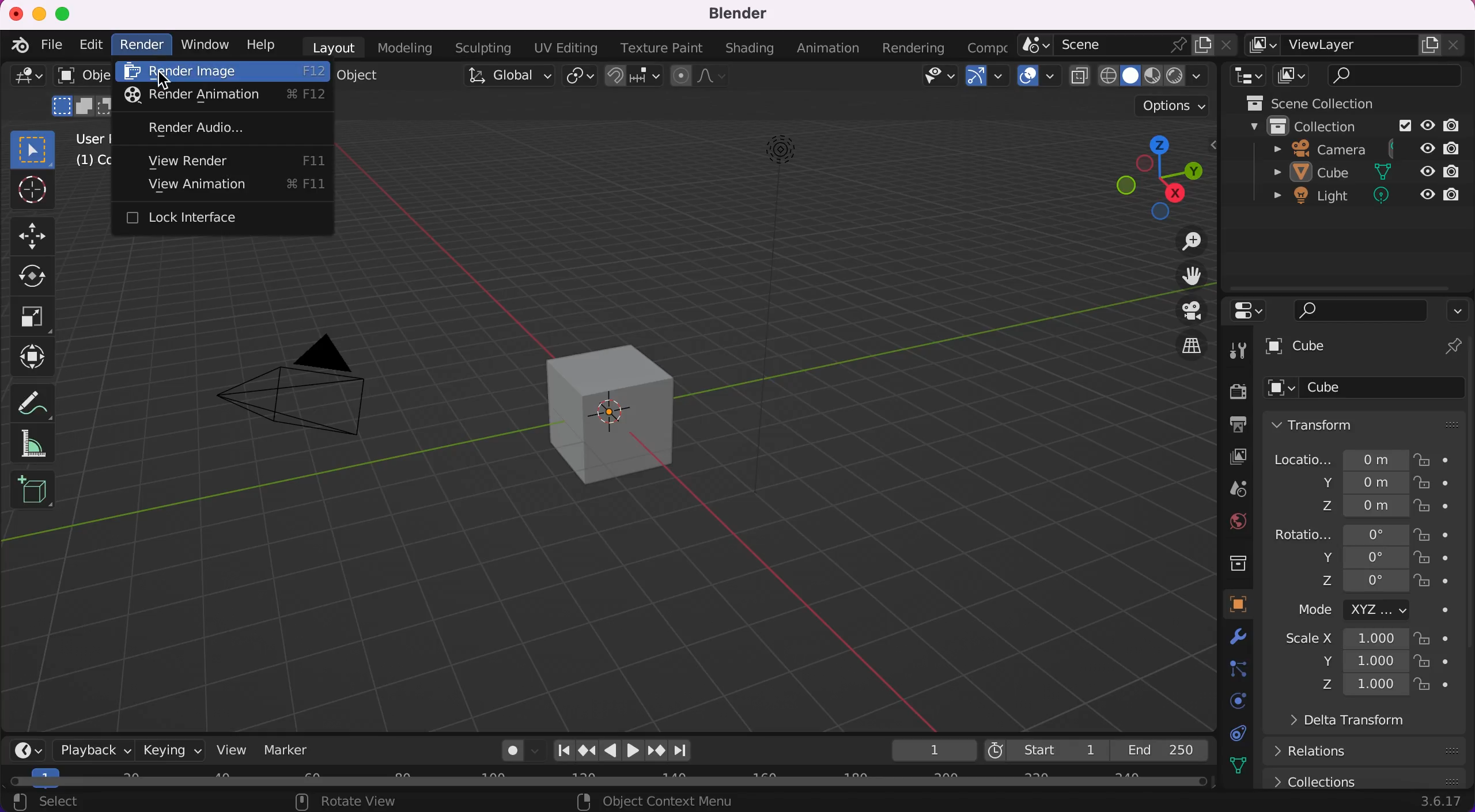 Image resolution: width=1475 pixels, height=812 pixels. Describe the element at coordinates (20, 45) in the screenshot. I see `blender logo` at that location.